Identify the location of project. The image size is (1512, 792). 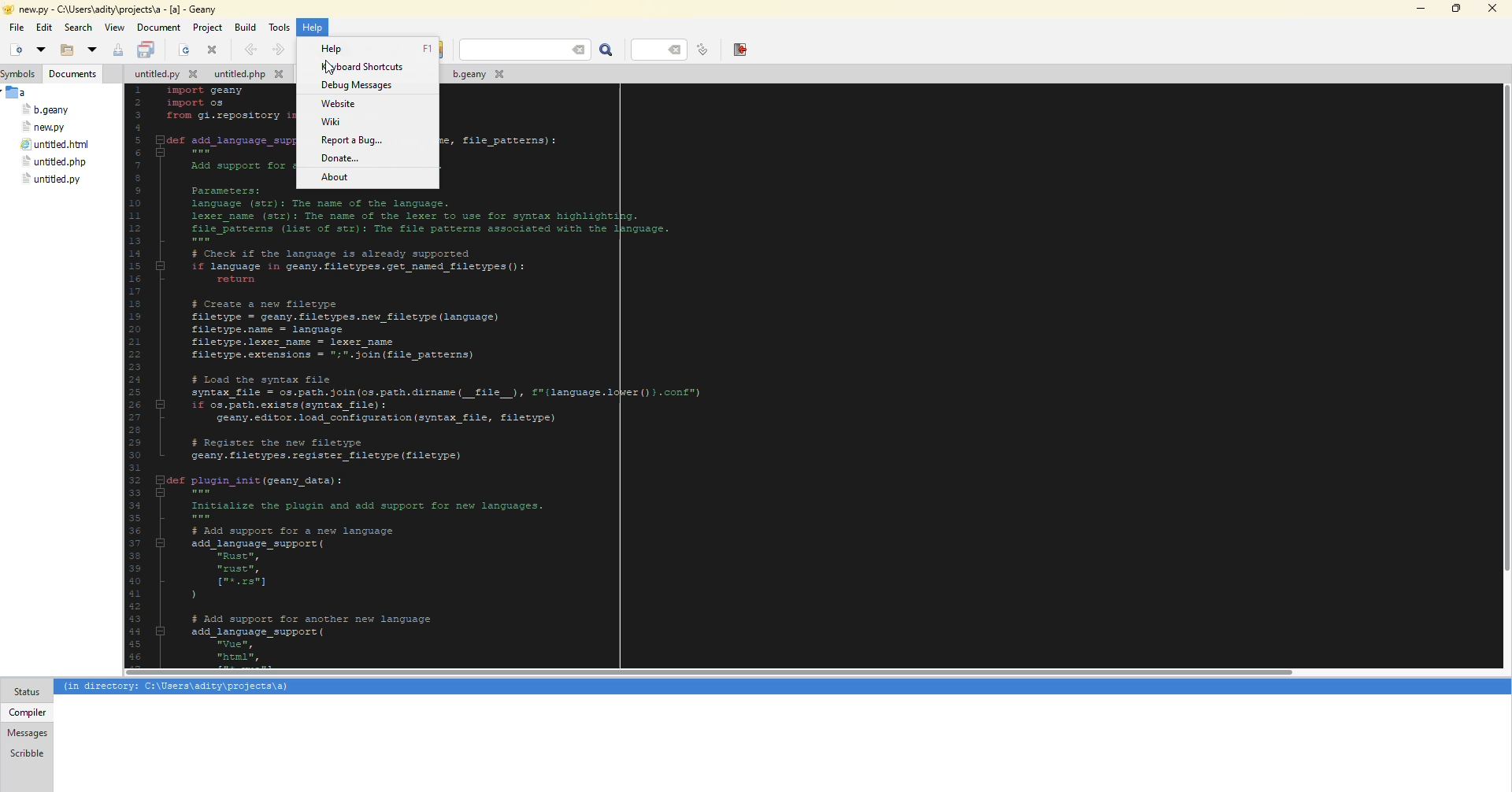
(207, 28).